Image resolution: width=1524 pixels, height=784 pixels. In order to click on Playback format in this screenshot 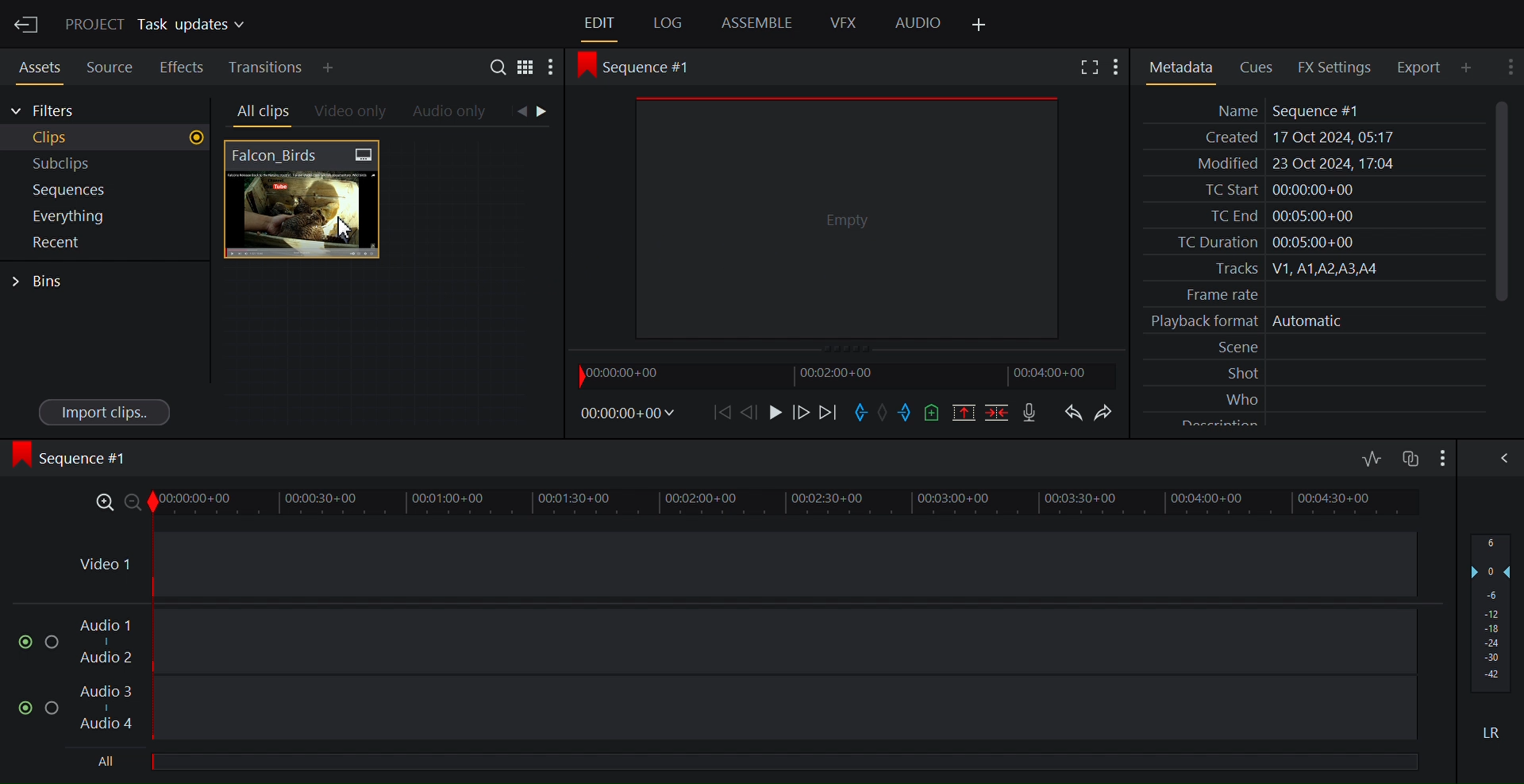, I will do `click(1312, 321)`.